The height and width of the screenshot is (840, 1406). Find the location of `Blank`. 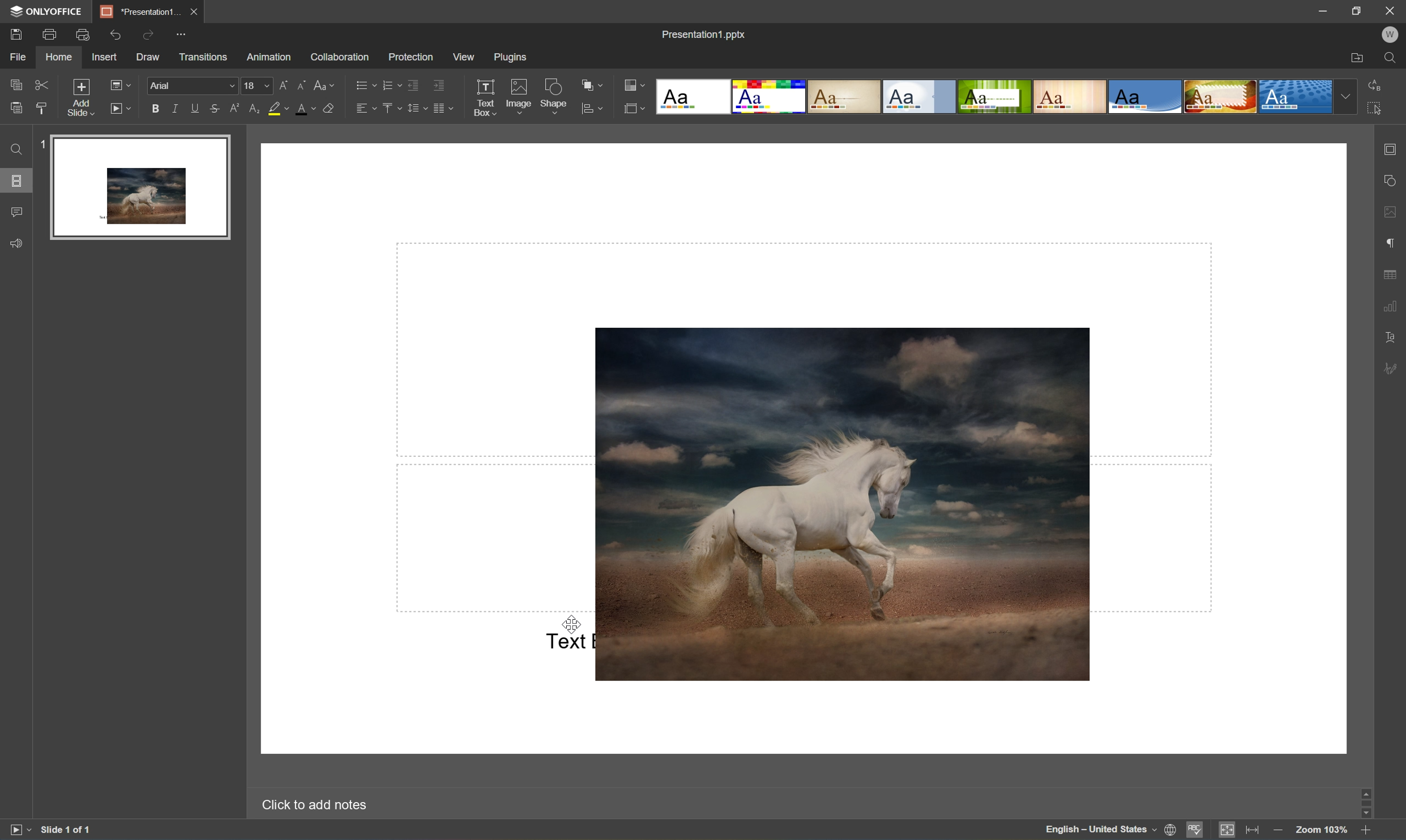

Blank is located at coordinates (695, 97).